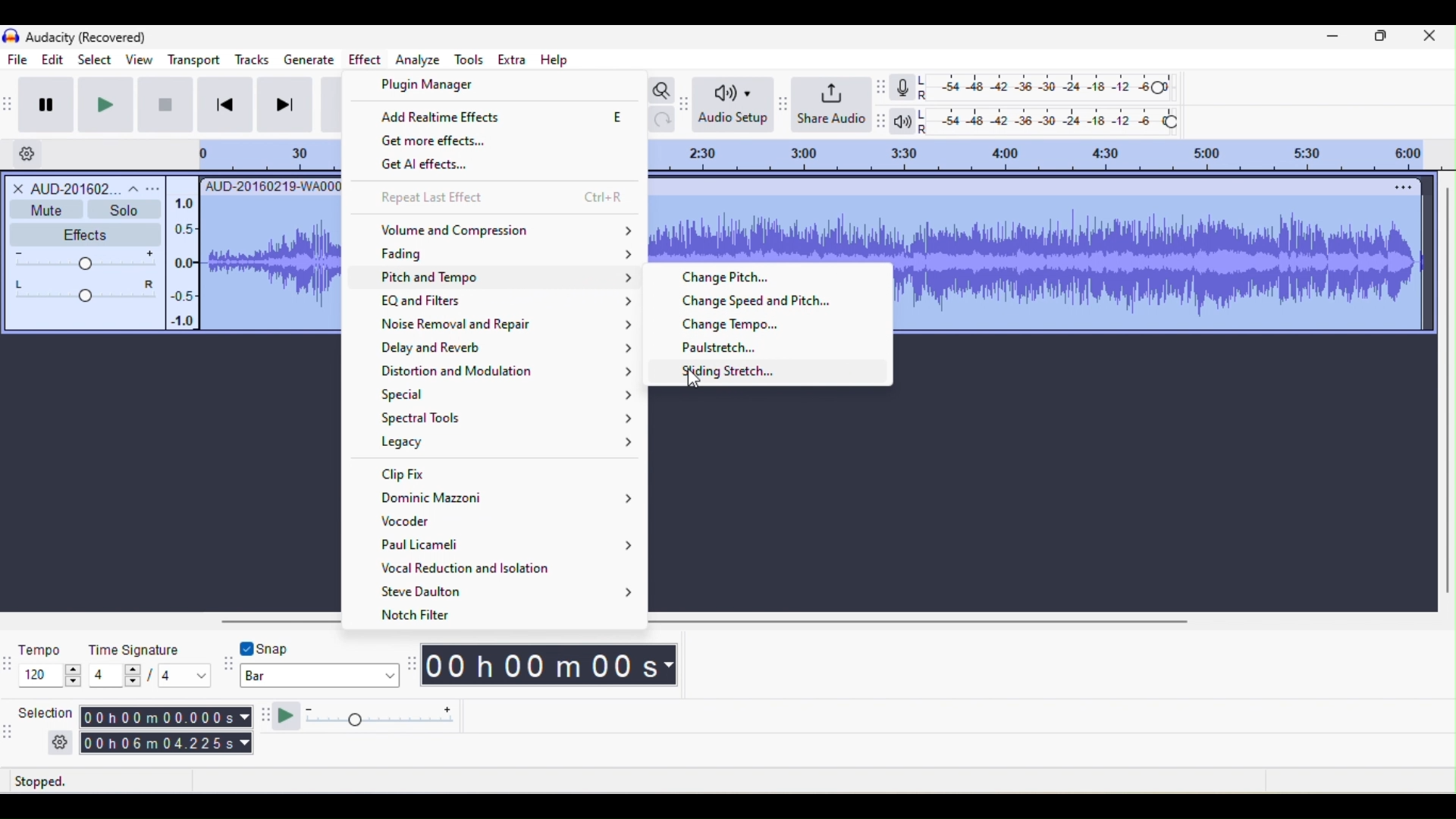 The width and height of the screenshot is (1456, 819). Describe the element at coordinates (662, 89) in the screenshot. I see `zoom toggle` at that location.